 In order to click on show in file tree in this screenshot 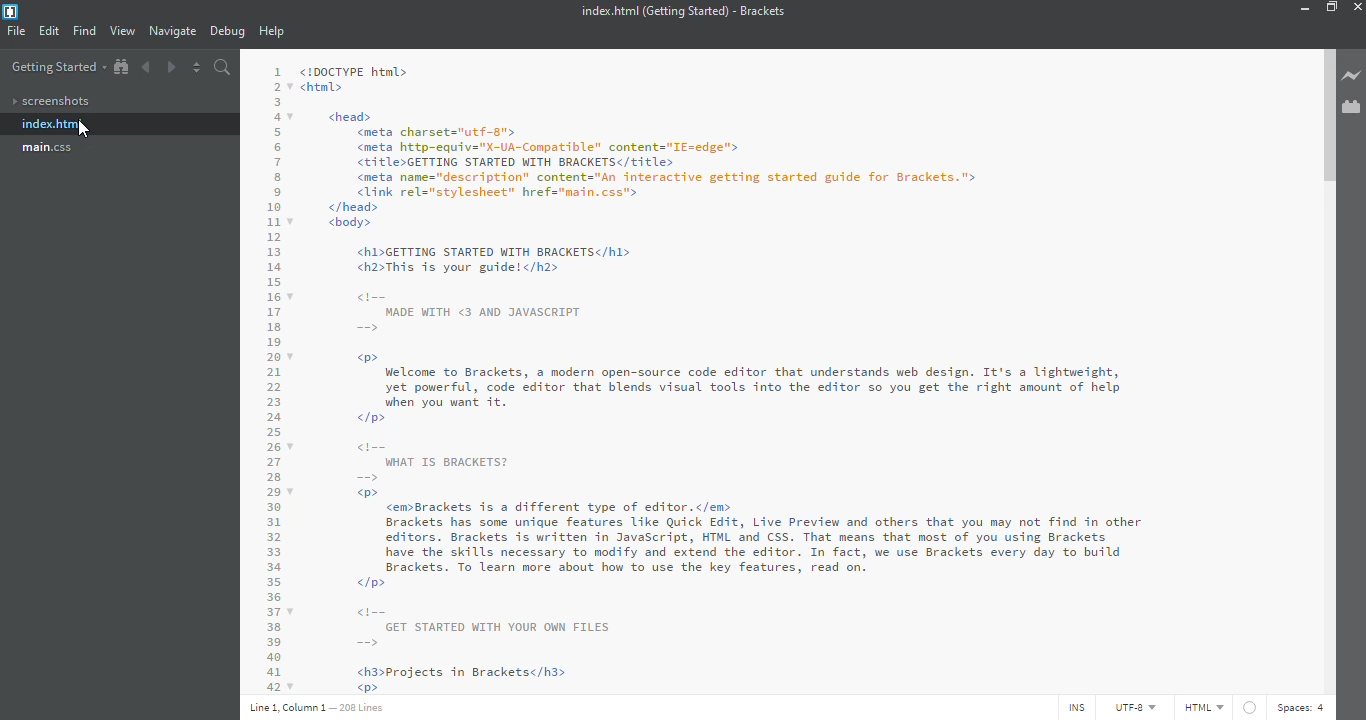, I will do `click(121, 67)`.